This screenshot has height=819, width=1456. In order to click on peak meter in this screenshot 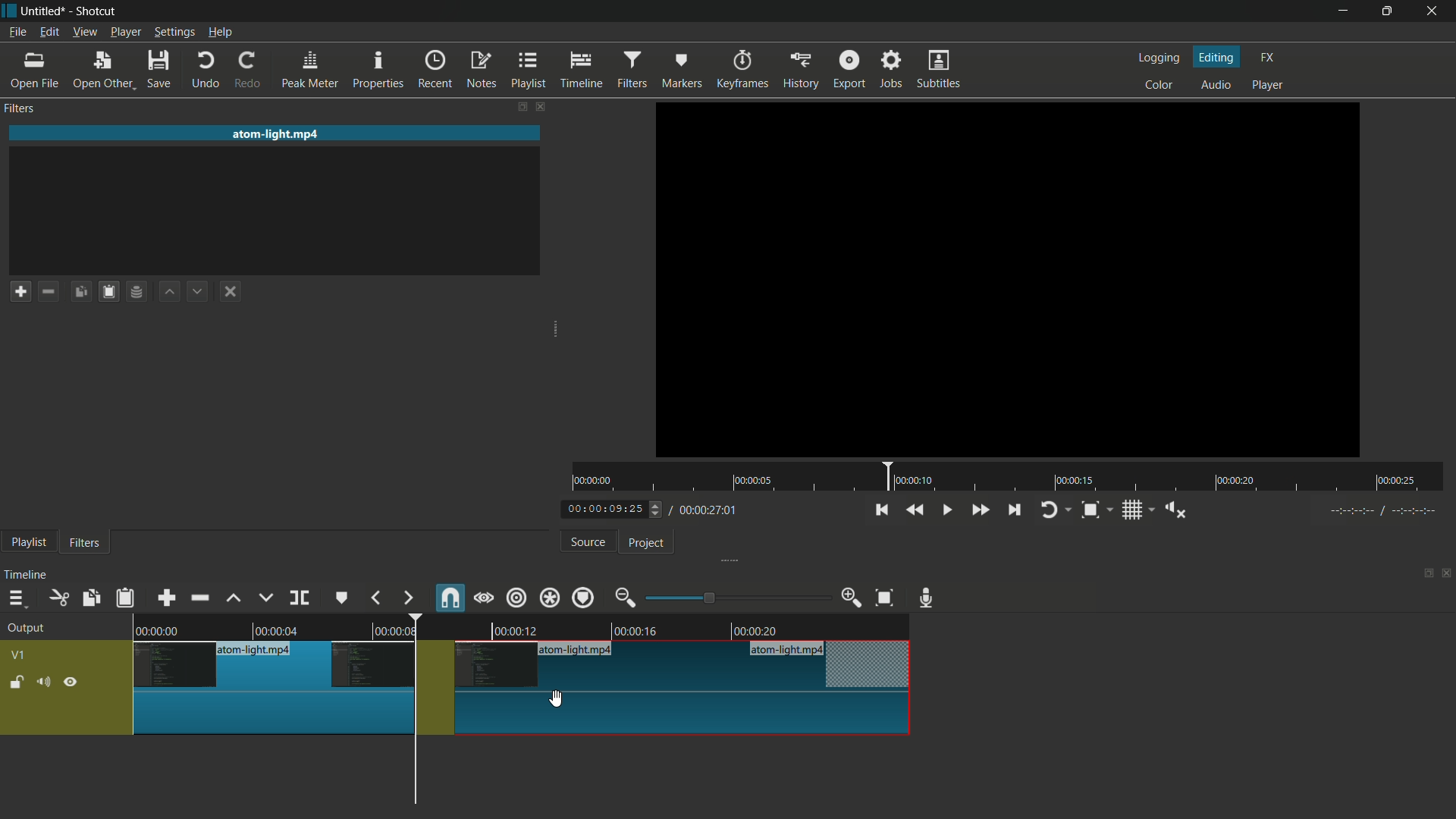, I will do `click(310, 71)`.